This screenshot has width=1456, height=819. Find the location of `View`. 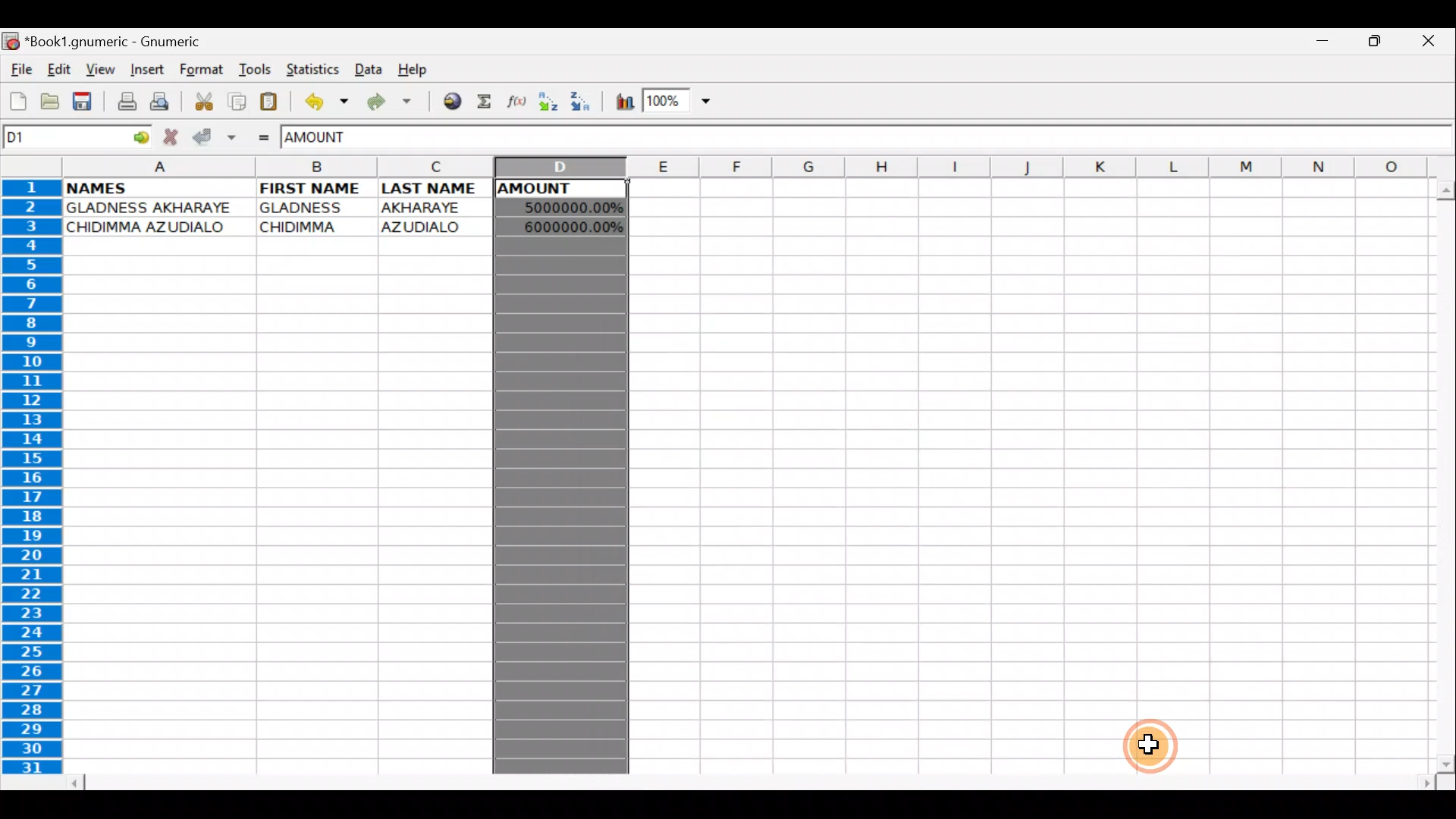

View is located at coordinates (101, 69).